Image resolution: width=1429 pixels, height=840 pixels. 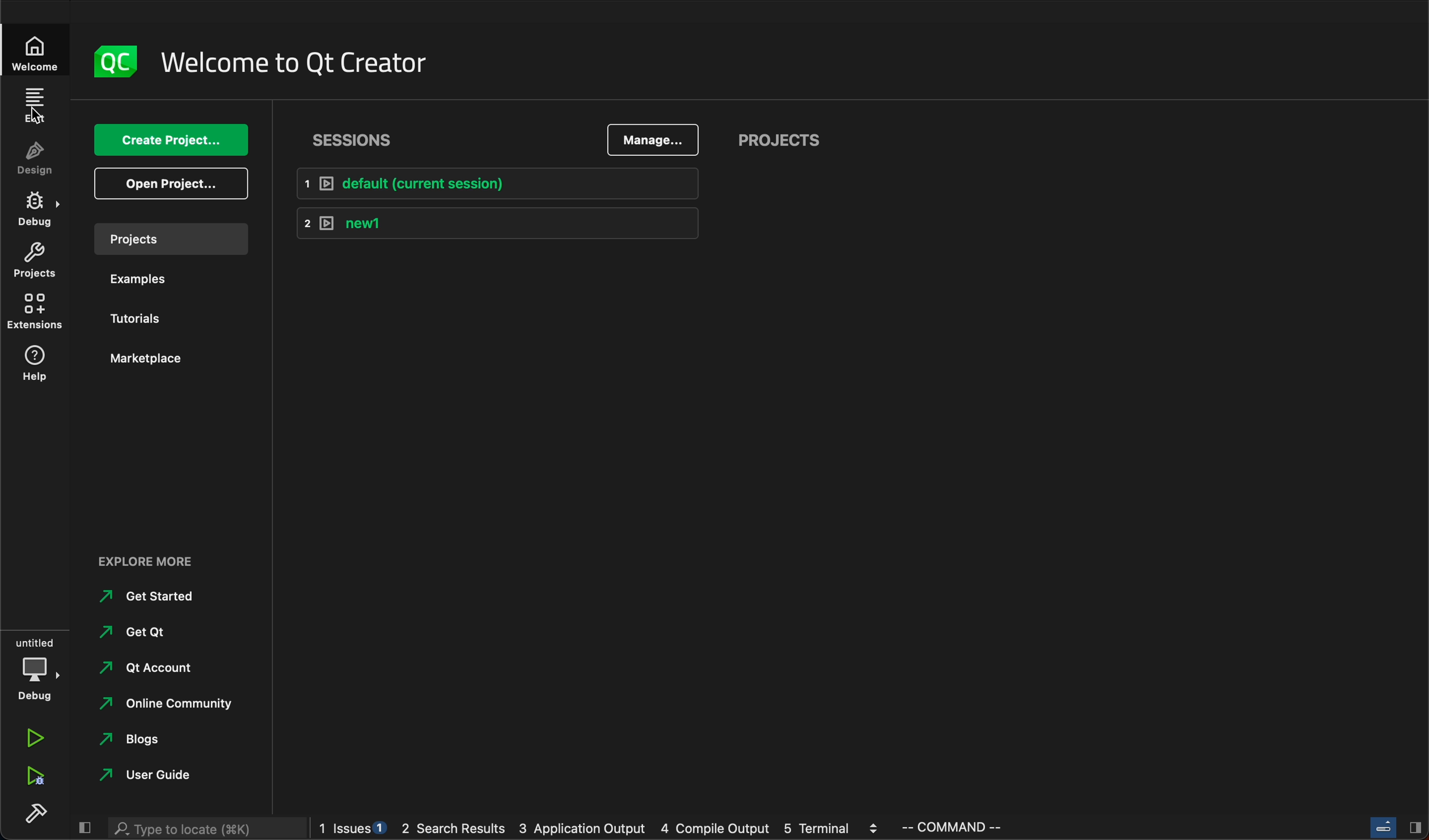 I want to click on logs, so click(x=602, y=828).